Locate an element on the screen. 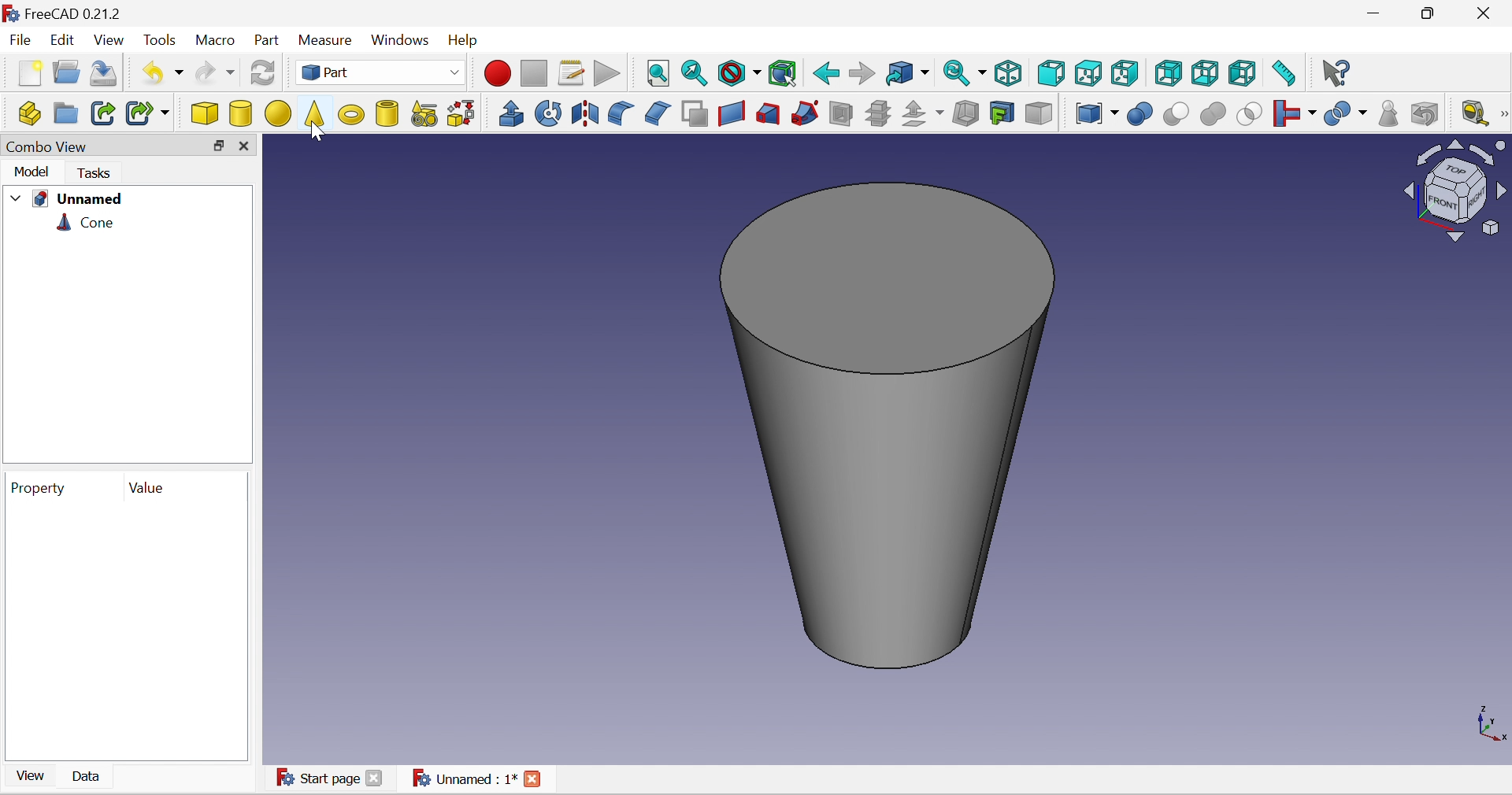 Image resolution: width=1512 pixels, height=795 pixels. Cone is located at coordinates (85, 223).